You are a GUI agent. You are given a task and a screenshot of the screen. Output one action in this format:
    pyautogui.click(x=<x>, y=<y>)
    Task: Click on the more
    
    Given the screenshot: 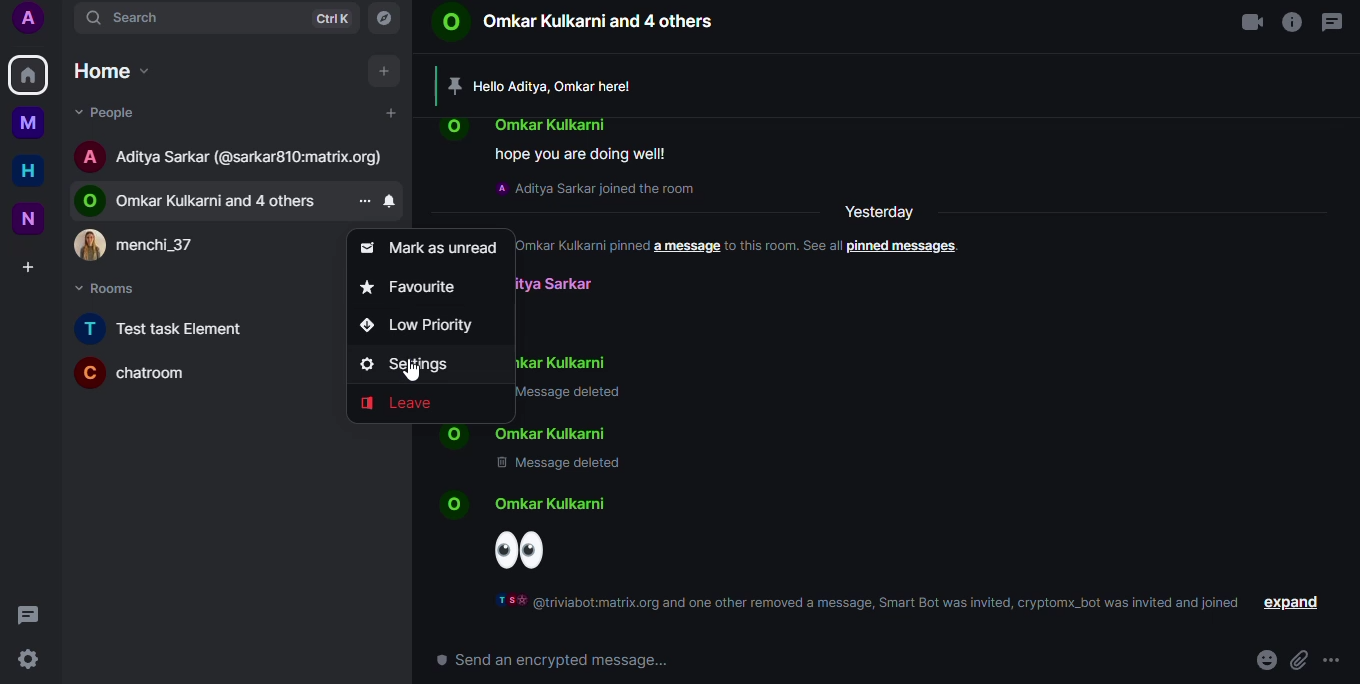 What is the action you would take?
    pyautogui.click(x=1331, y=661)
    